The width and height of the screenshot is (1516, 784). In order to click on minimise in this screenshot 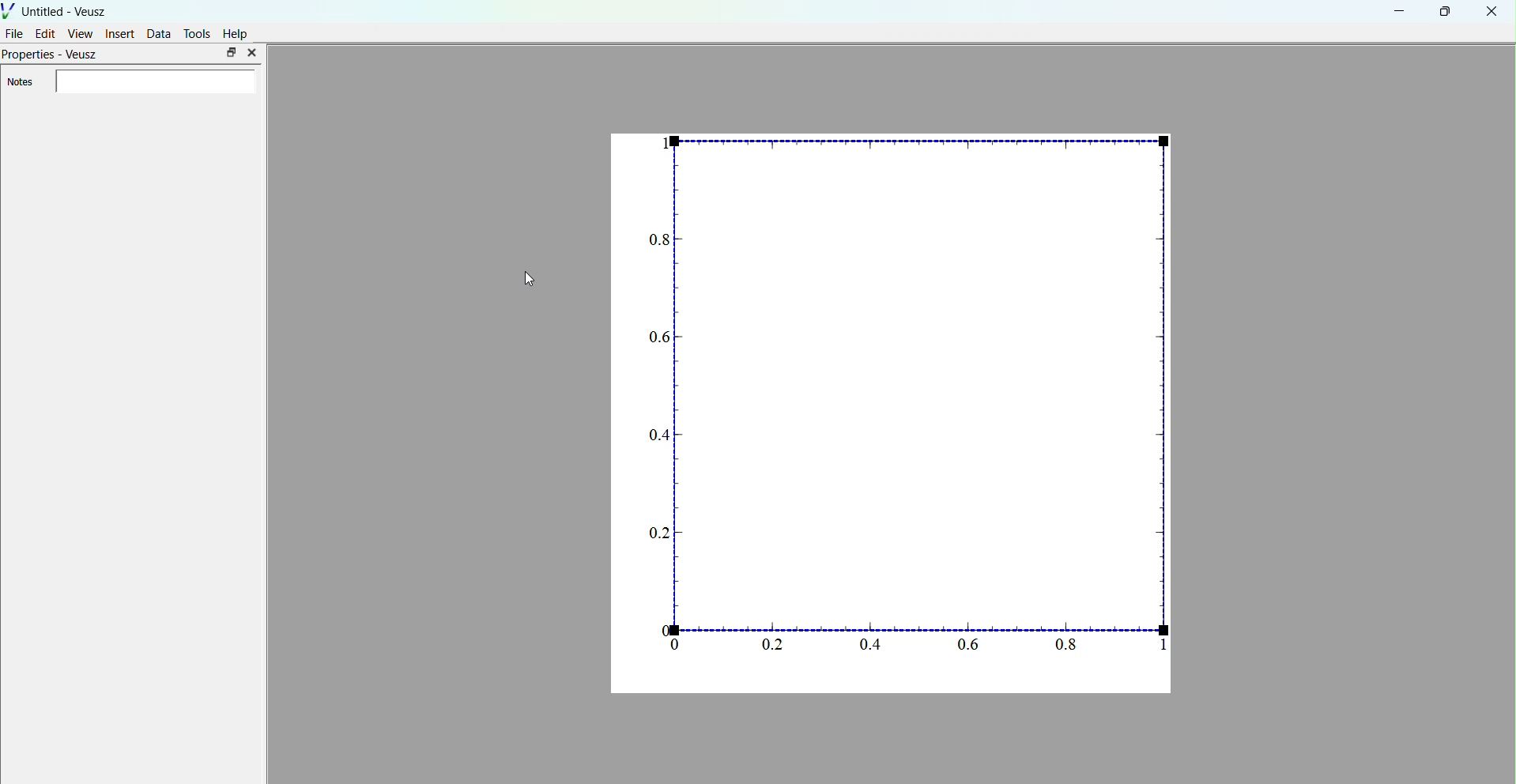, I will do `click(1400, 10)`.